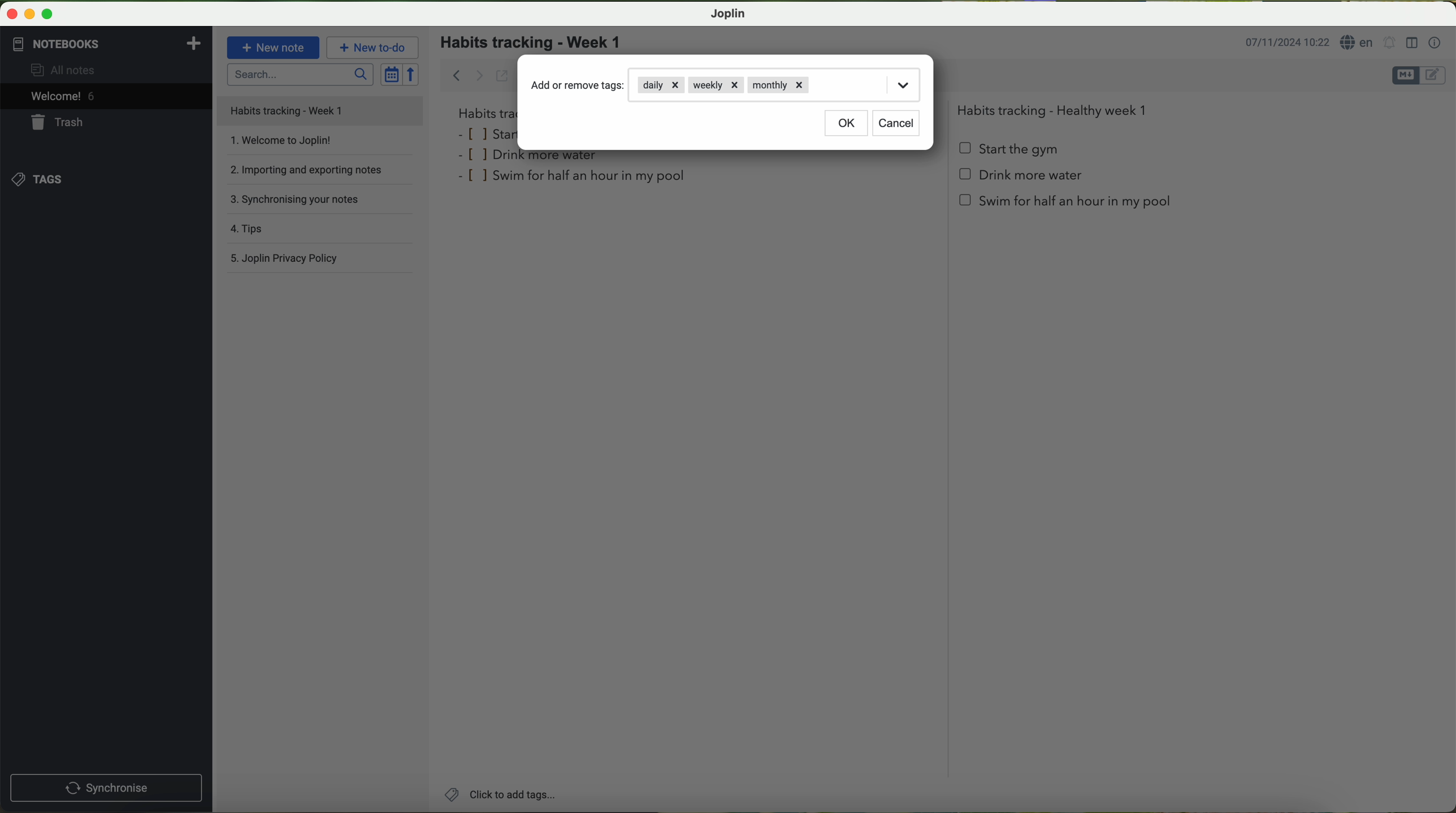 This screenshot has width=1456, height=813. What do you see at coordinates (324, 203) in the screenshot?
I see `synchronising your notes` at bounding box center [324, 203].